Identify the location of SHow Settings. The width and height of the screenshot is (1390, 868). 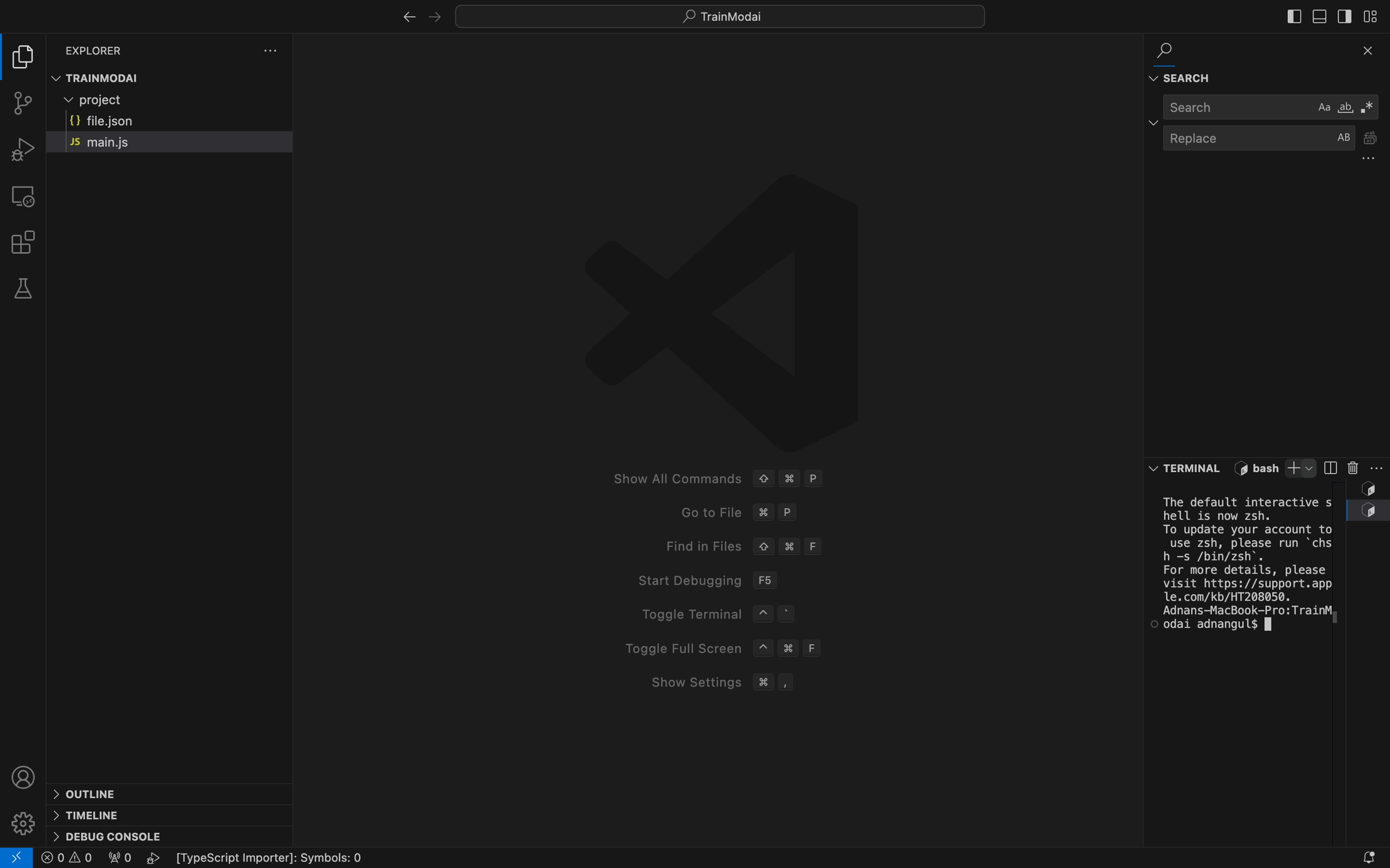
(783, 682).